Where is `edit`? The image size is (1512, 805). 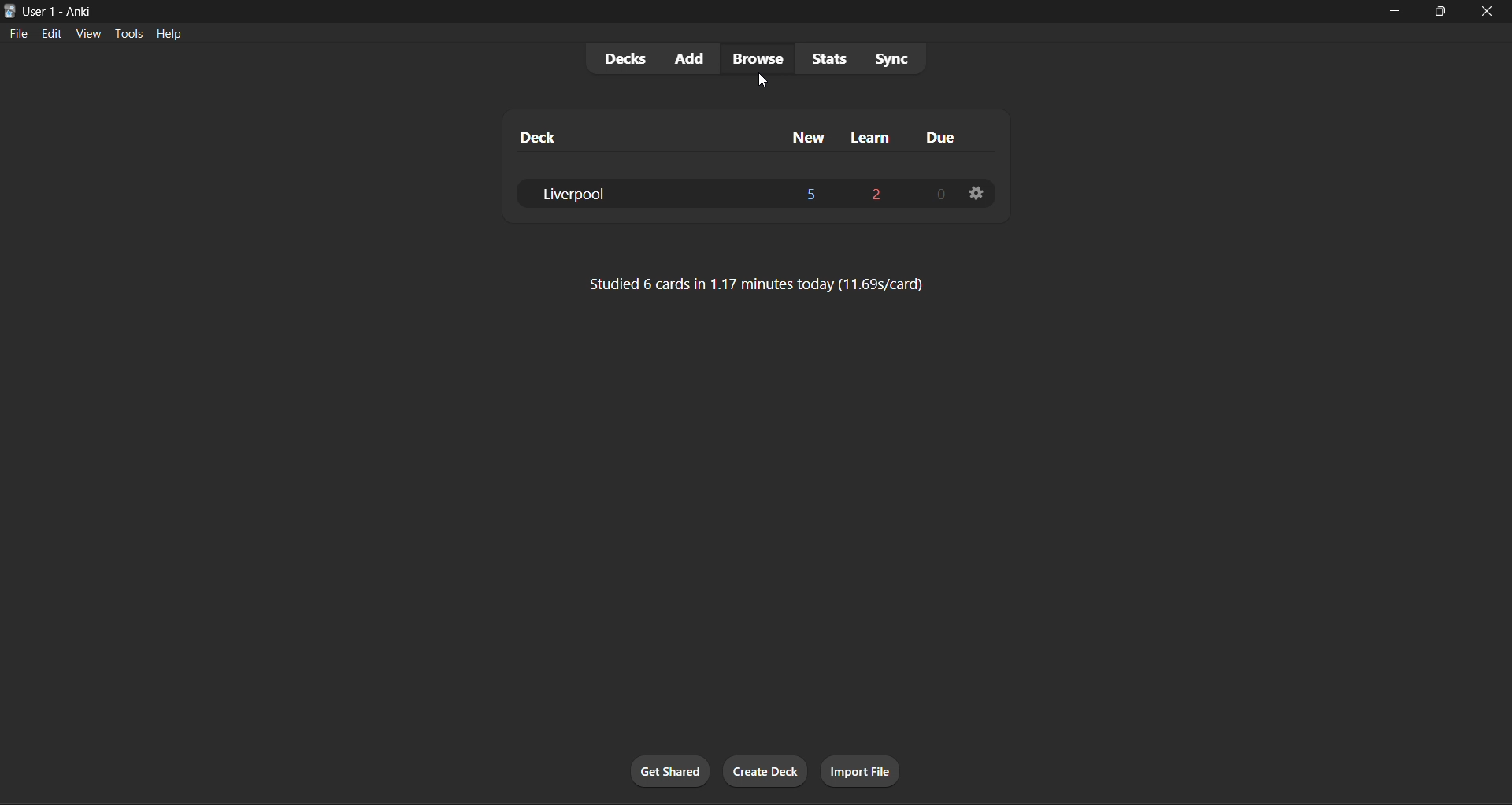 edit is located at coordinates (51, 33).